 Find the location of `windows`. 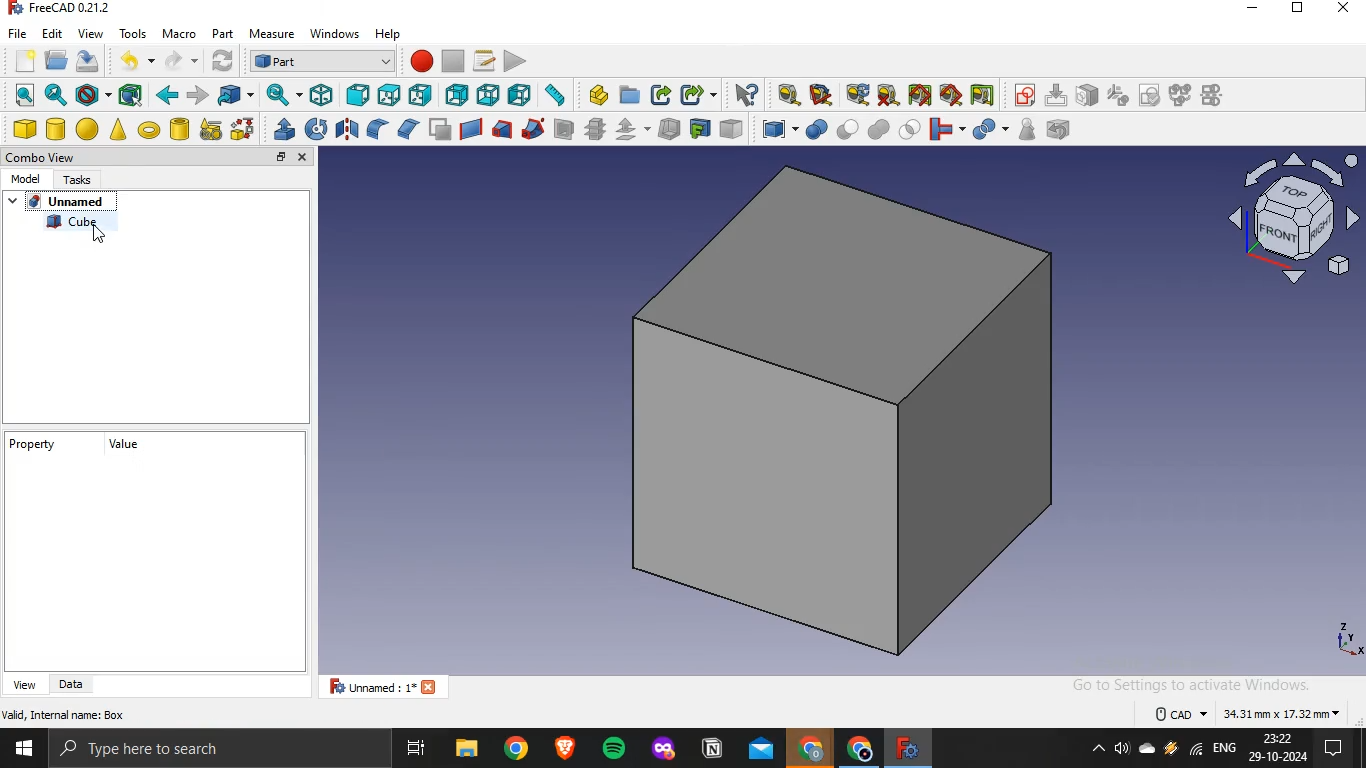

windows is located at coordinates (336, 32).